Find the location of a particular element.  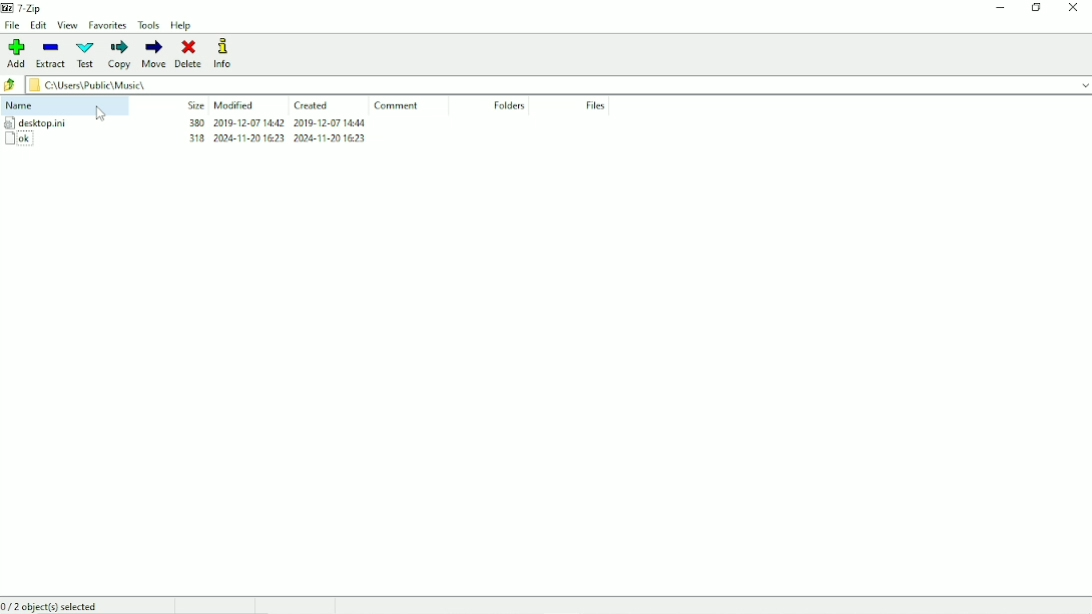

View is located at coordinates (67, 25).